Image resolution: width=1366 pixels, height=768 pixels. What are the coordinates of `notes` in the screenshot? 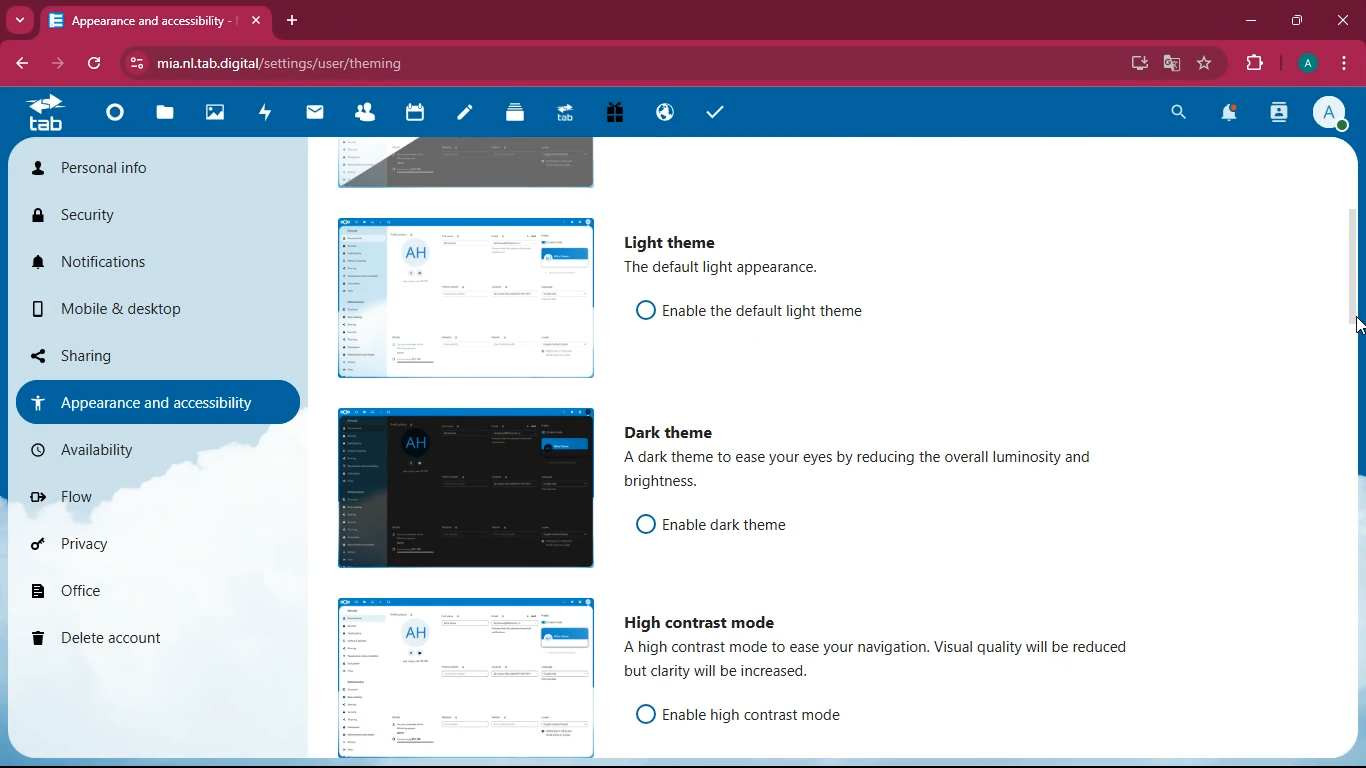 It's located at (461, 115).